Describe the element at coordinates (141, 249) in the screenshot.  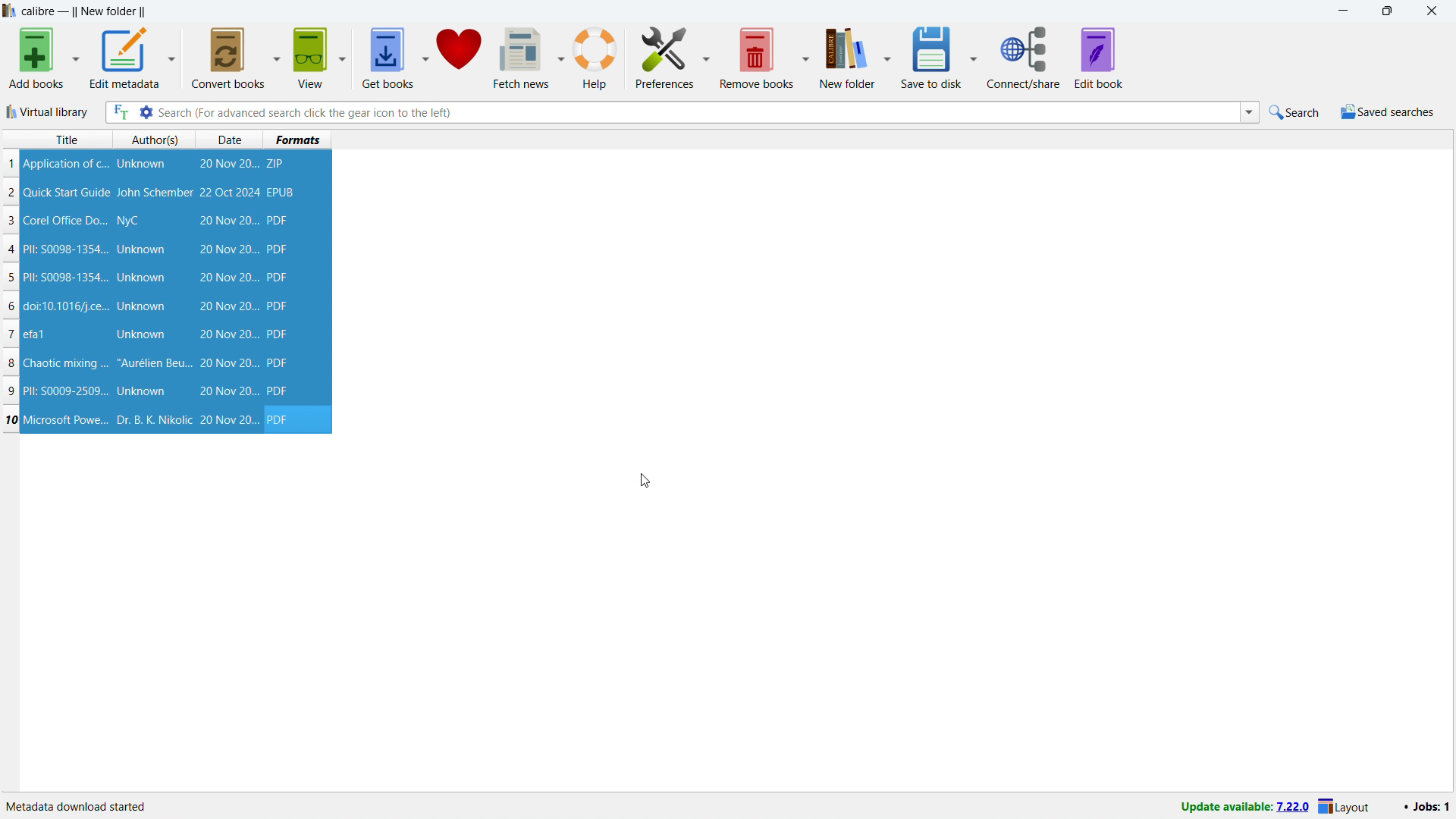
I see `Unknown` at that location.